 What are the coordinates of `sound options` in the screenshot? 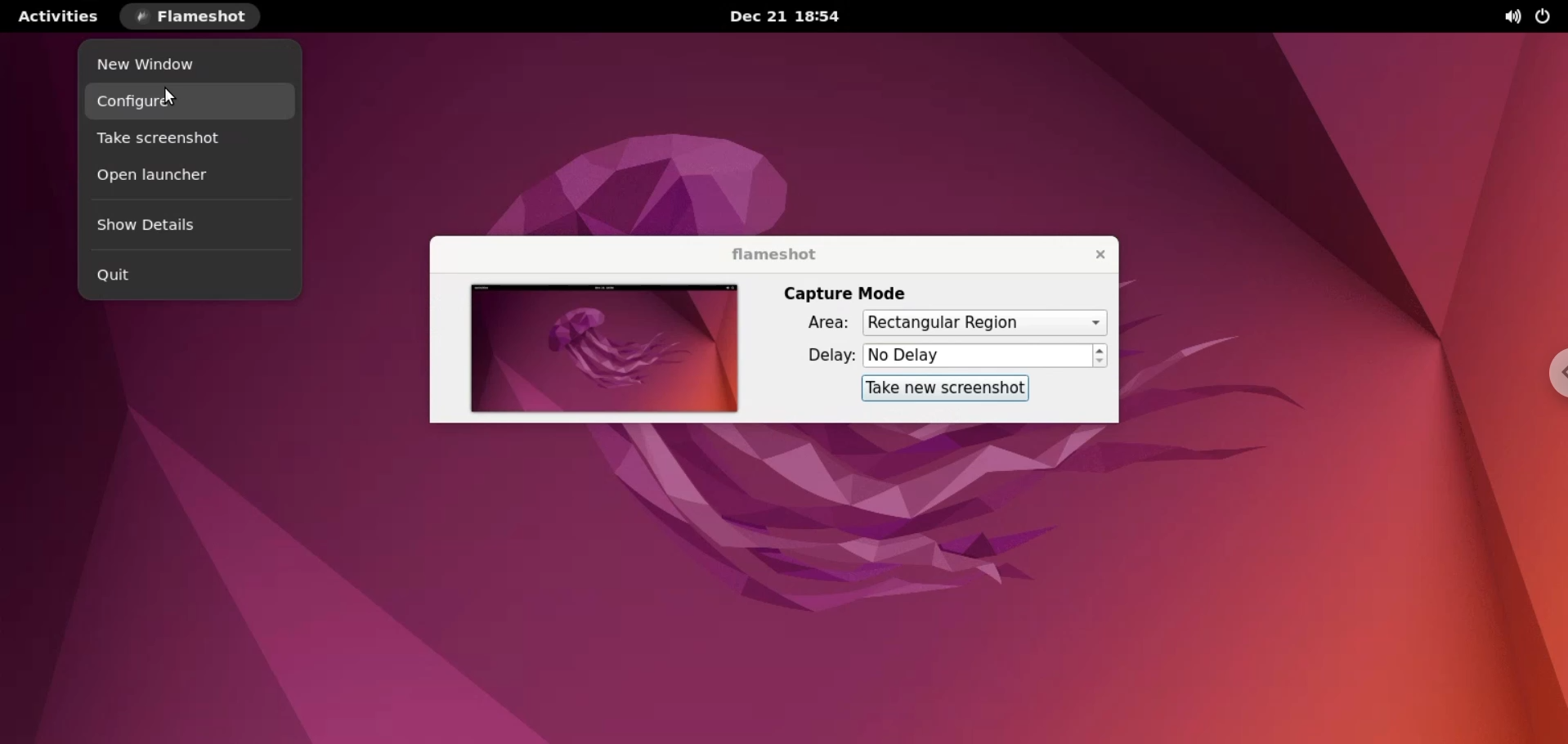 It's located at (1515, 17).